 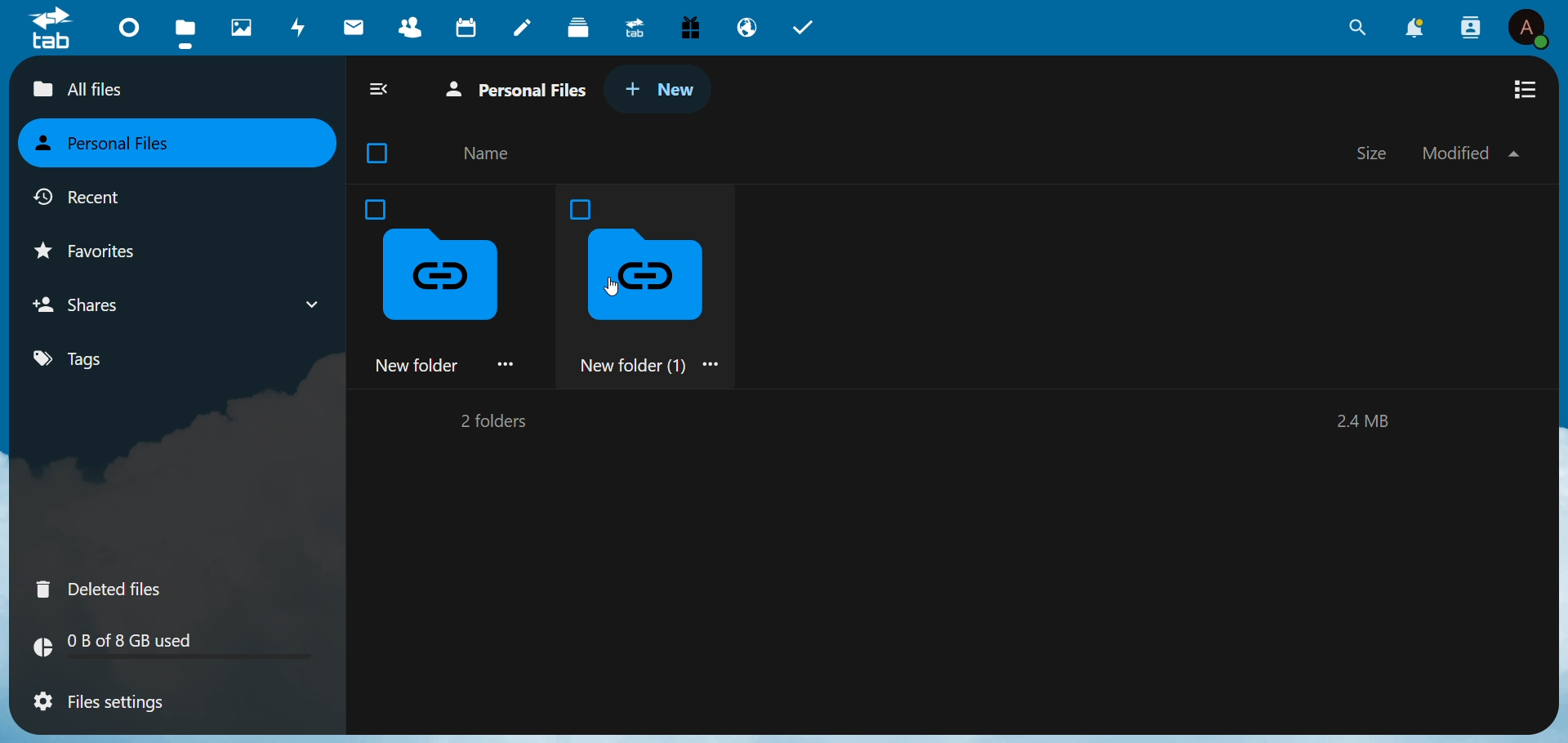 What do you see at coordinates (1528, 90) in the screenshot?
I see `list view` at bounding box center [1528, 90].